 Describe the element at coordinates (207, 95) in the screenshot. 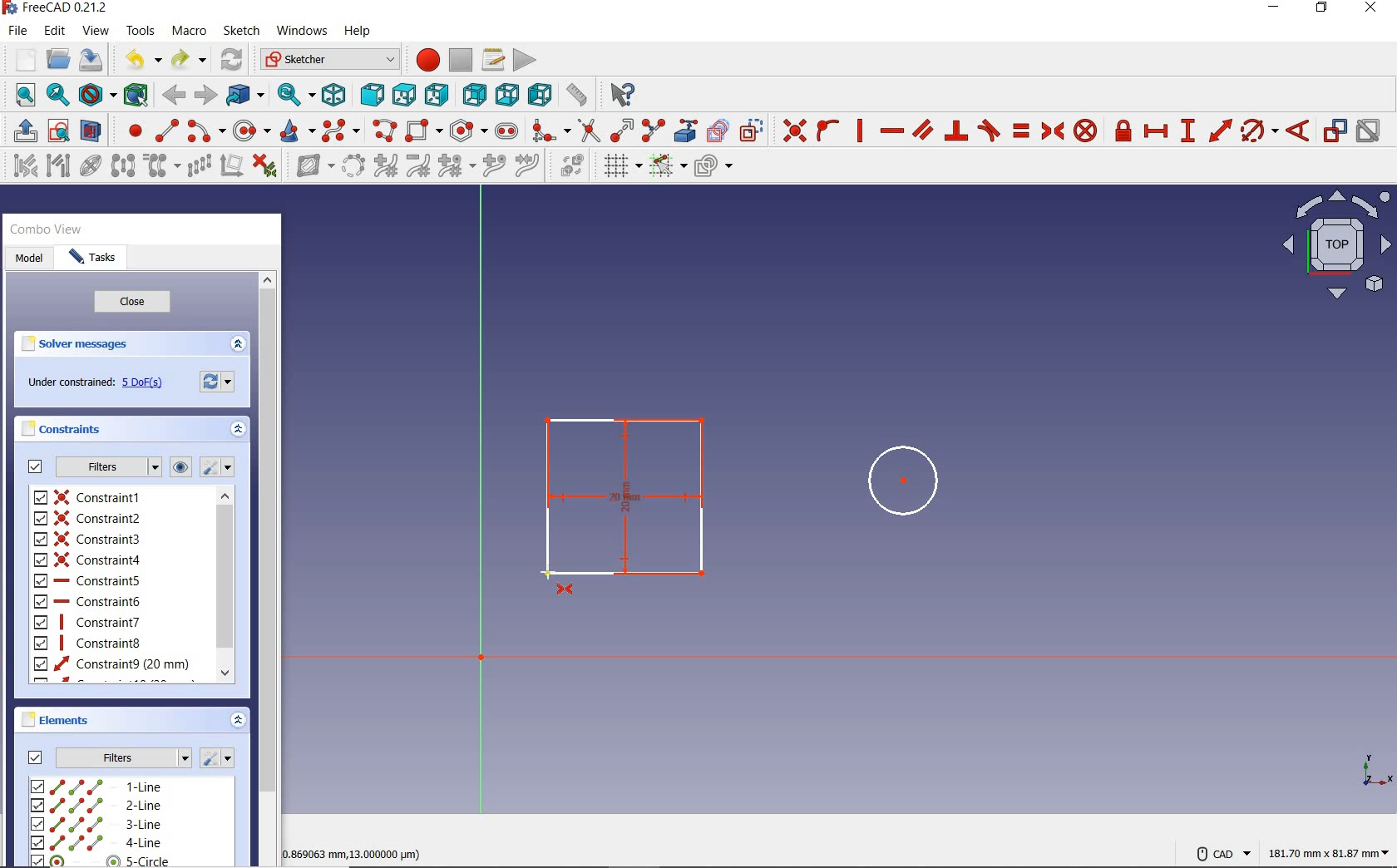

I see `forward` at that location.